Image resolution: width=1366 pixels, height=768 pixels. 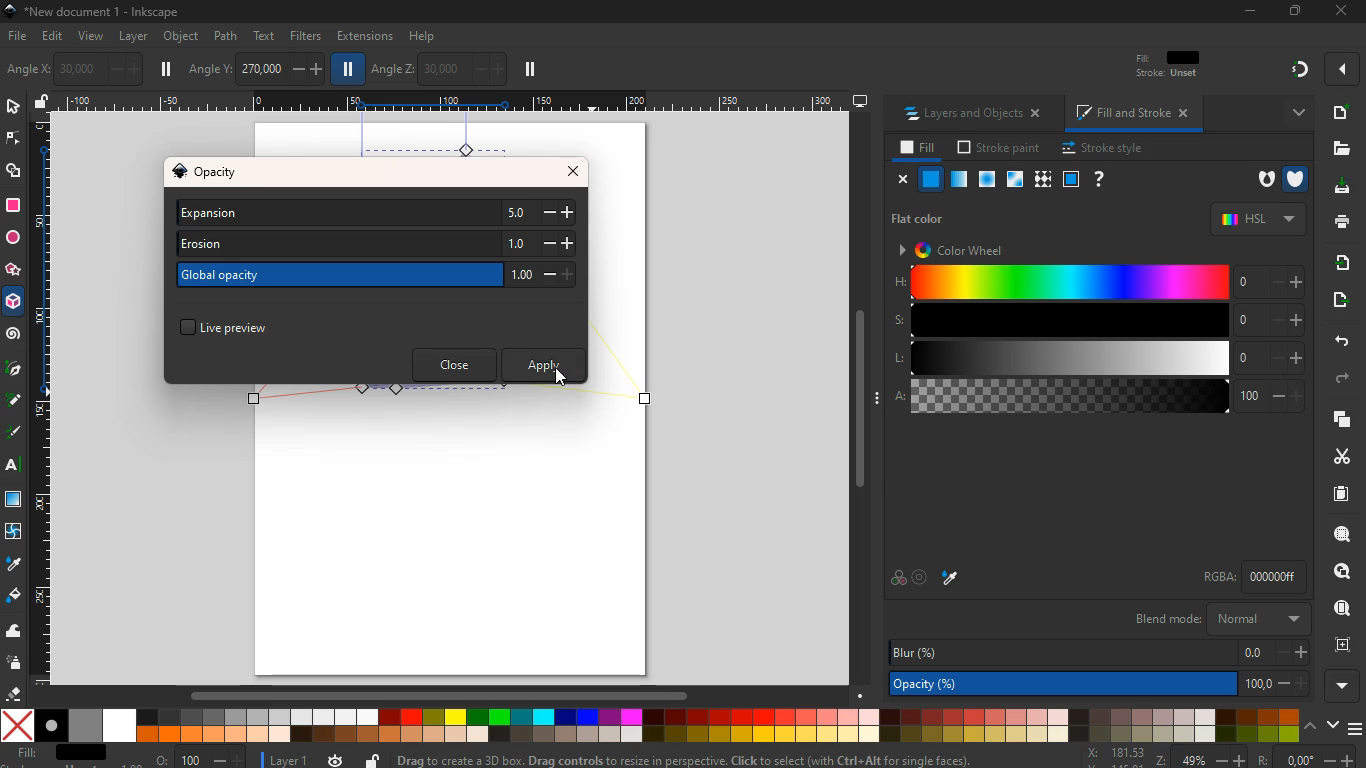 What do you see at coordinates (1124, 756) in the screenshot?
I see `zoom` at bounding box center [1124, 756].